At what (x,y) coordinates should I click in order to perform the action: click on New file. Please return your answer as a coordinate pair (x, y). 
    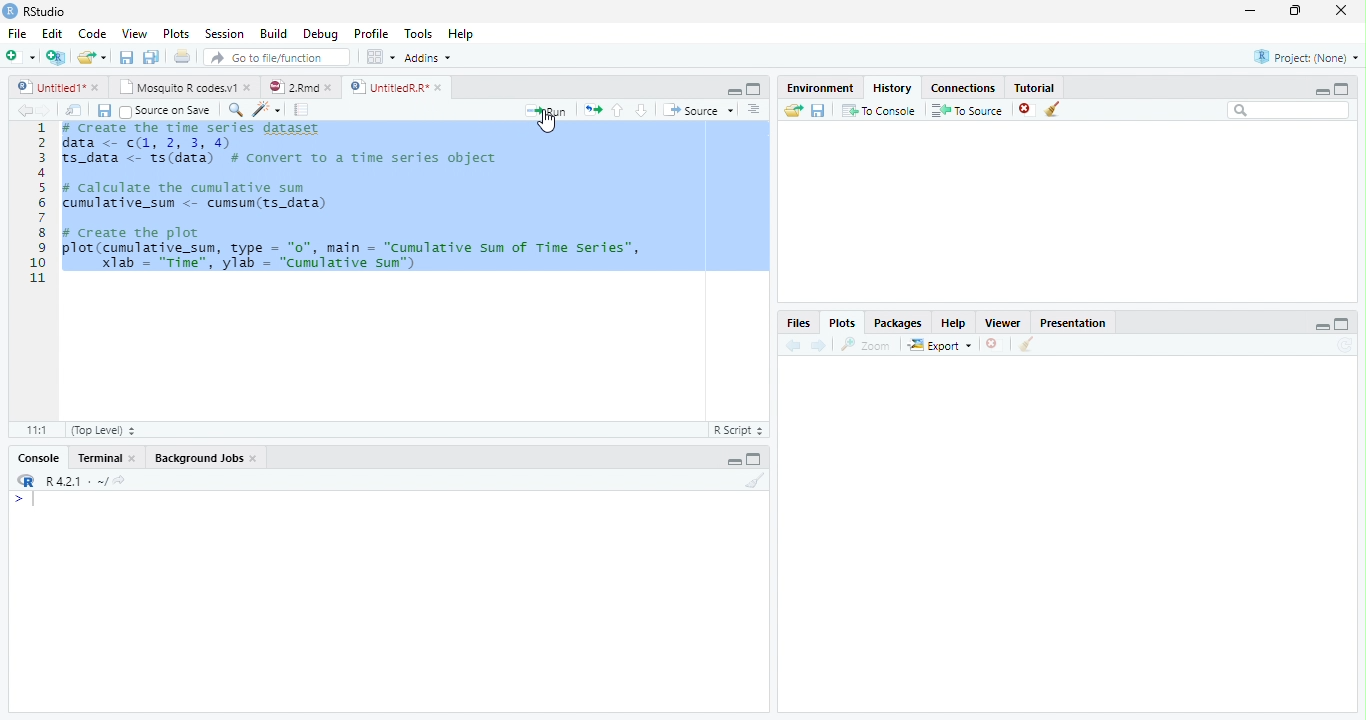
    Looking at the image, I should click on (20, 56).